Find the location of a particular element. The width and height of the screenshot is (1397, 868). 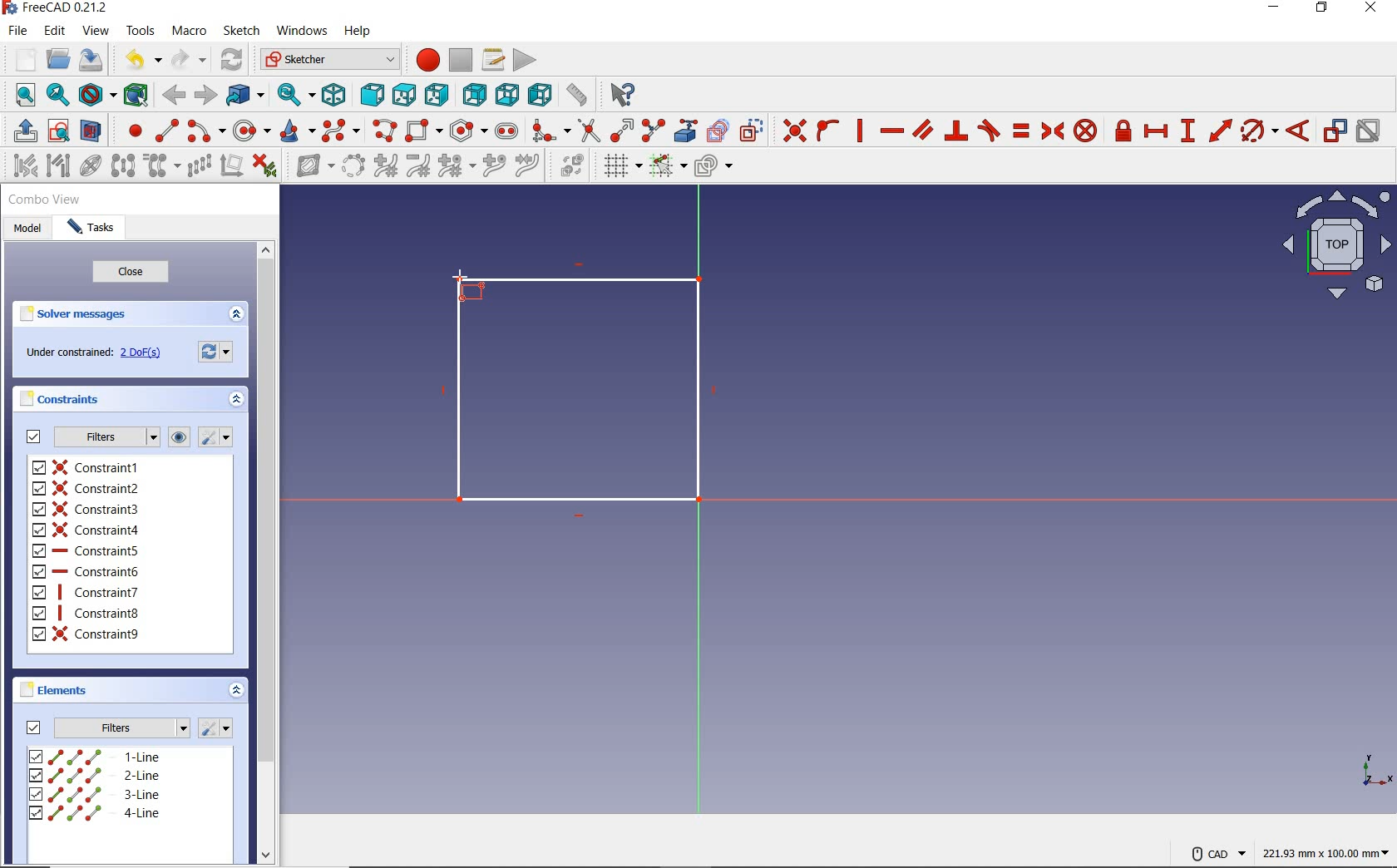

elements is located at coordinates (55, 689).